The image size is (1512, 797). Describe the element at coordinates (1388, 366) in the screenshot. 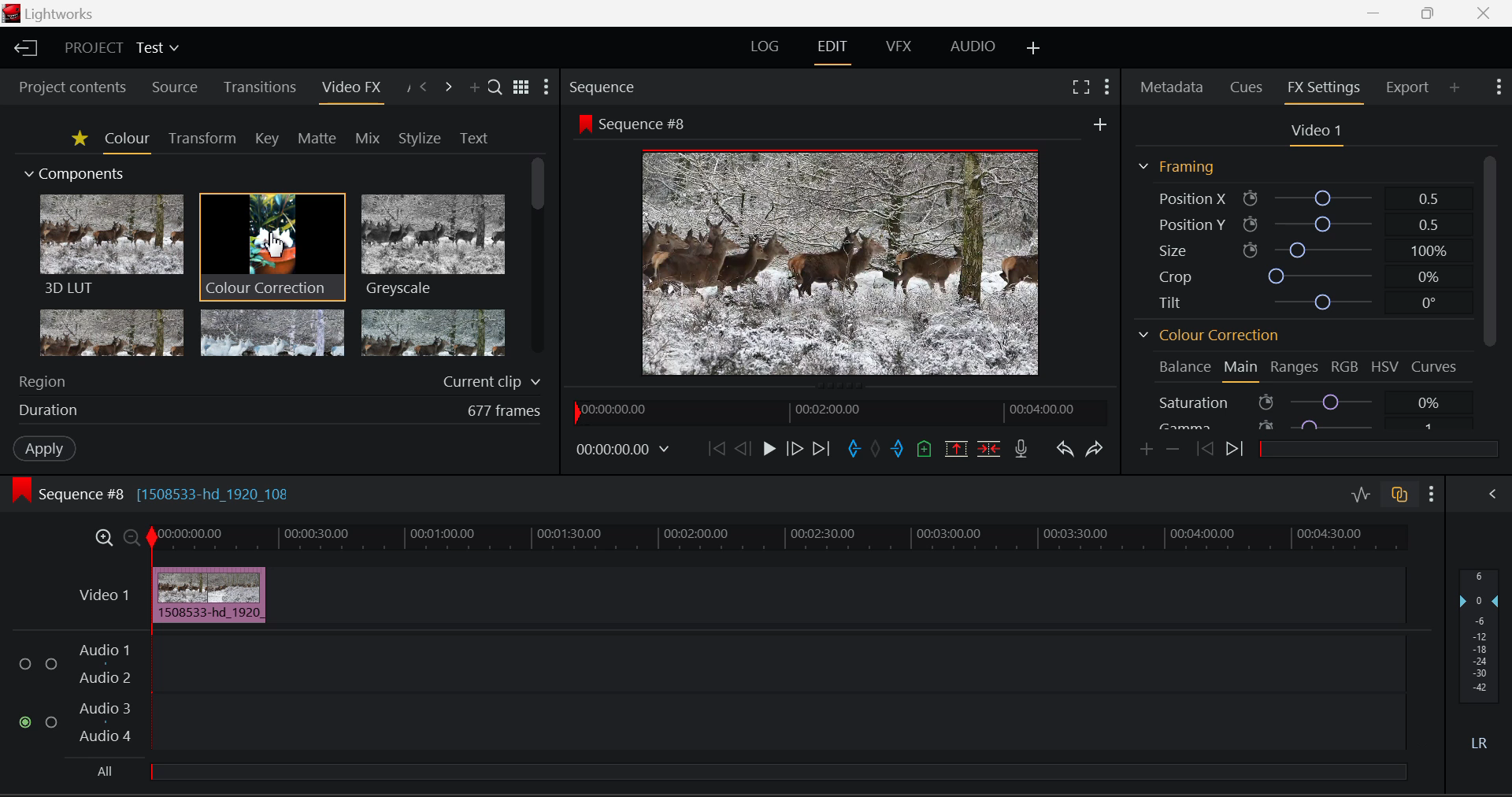

I see `HSV` at that location.